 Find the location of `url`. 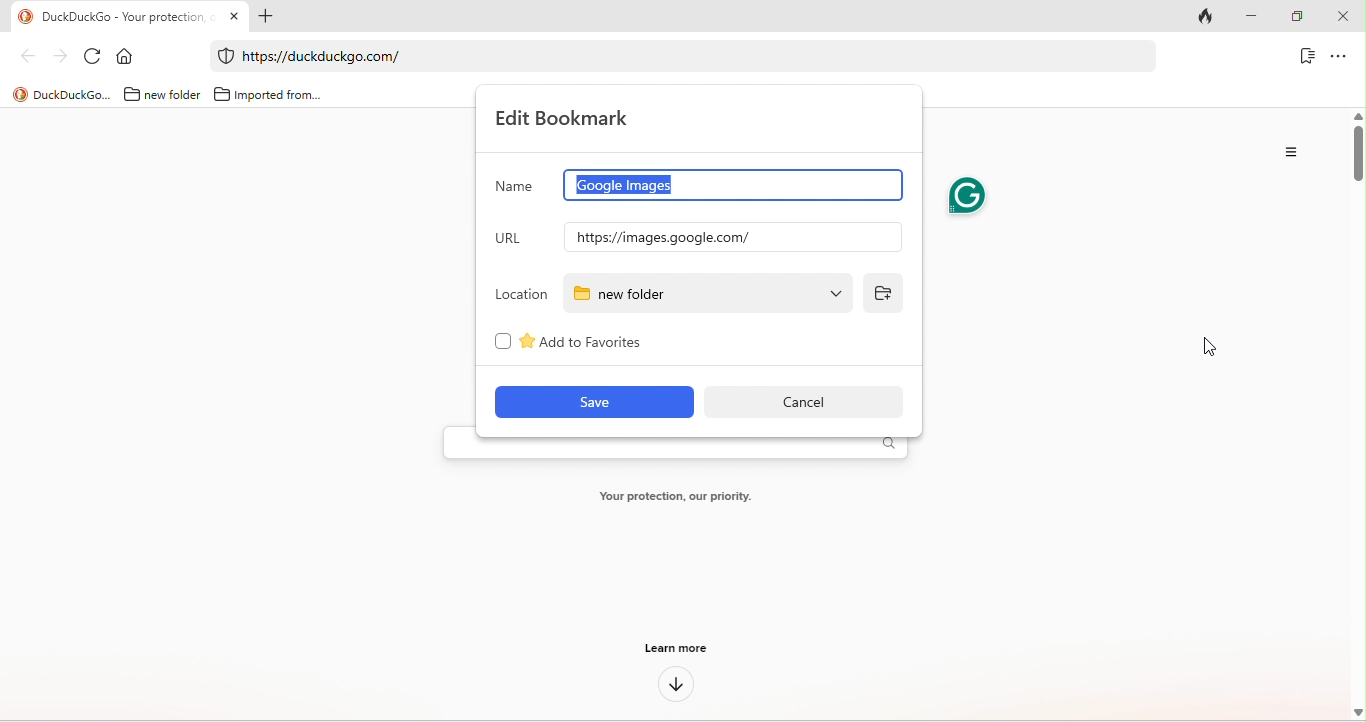

url is located at coordinates (514, 235).